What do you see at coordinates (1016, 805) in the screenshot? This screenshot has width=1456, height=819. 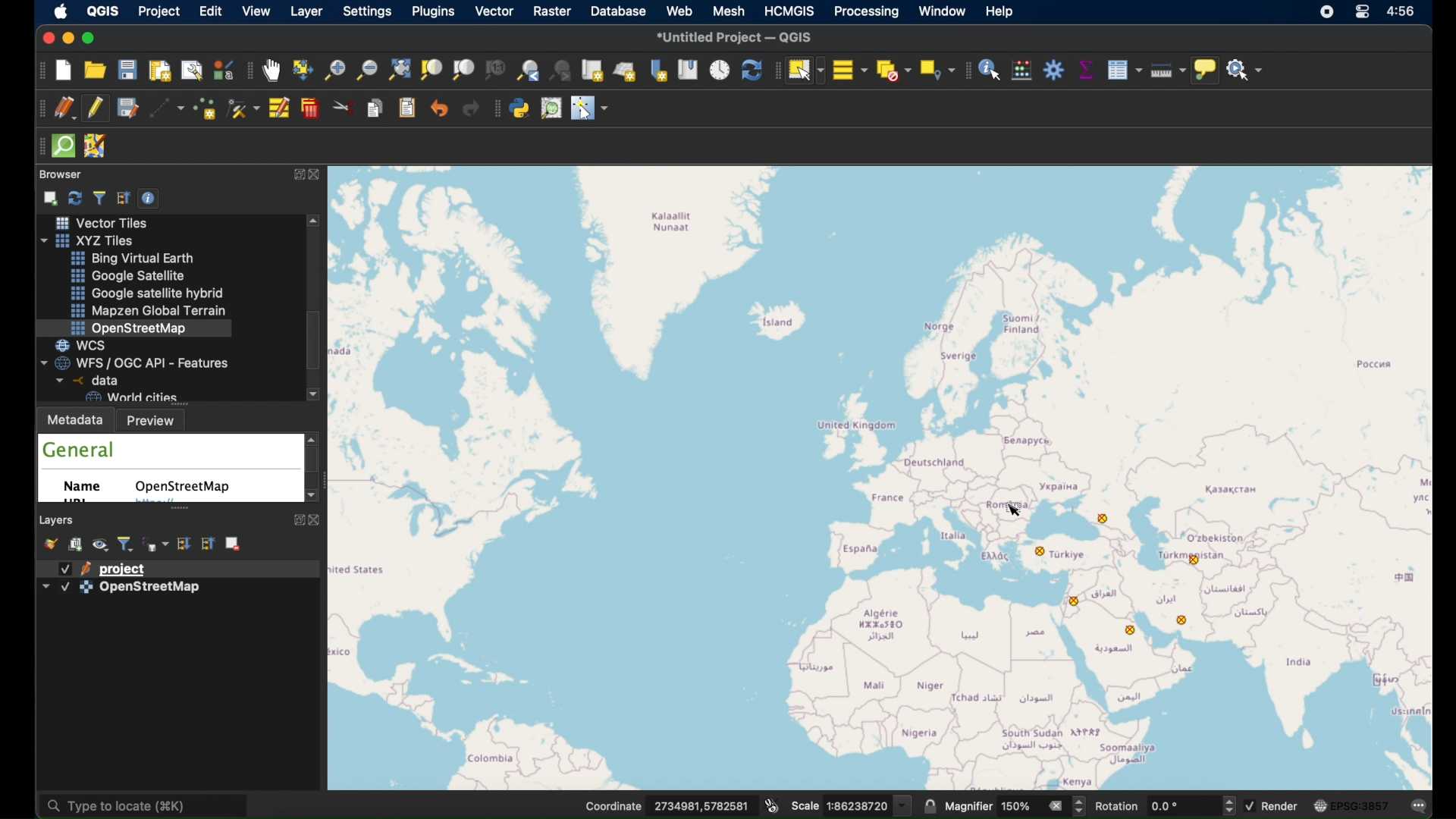 I see `magnifier value` at bounding box center [1016, 805].